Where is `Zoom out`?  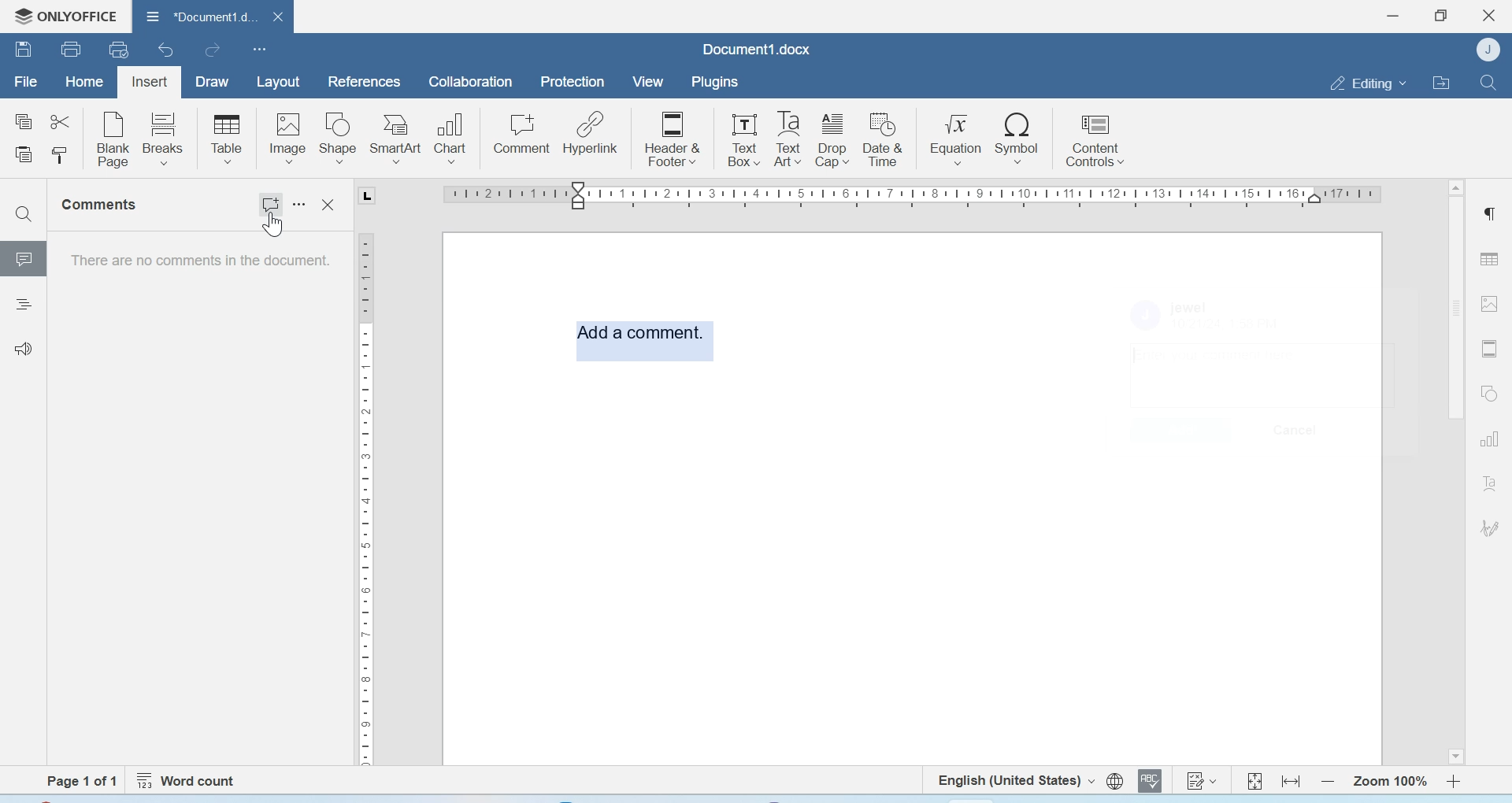
Zoom out is located at coordinates (1328, 781).